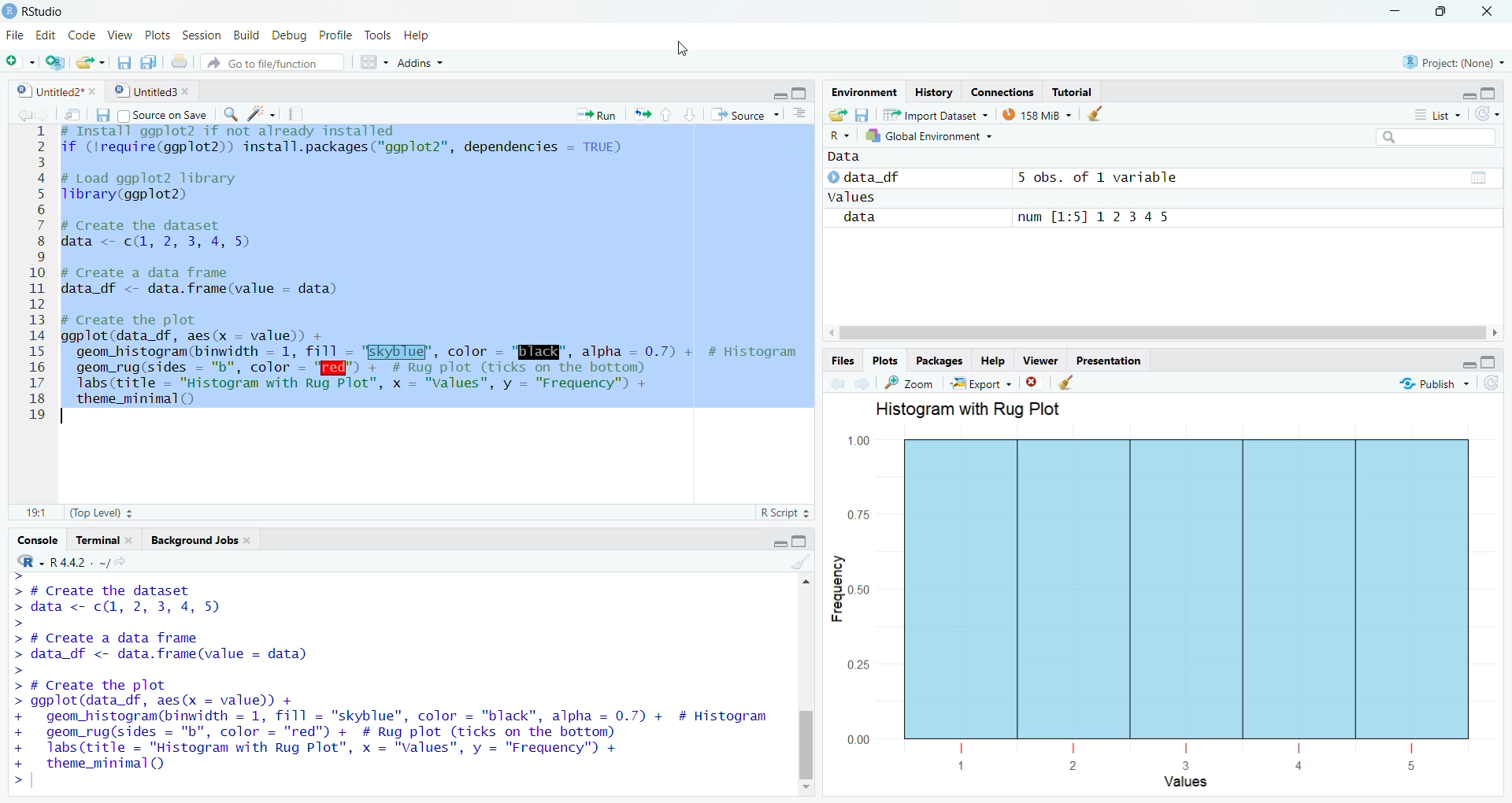 The height and width of the screenshot is (803, 1512). Describe the element at coordinates (743, 116) in the screenshot. I see `Source` at that location.